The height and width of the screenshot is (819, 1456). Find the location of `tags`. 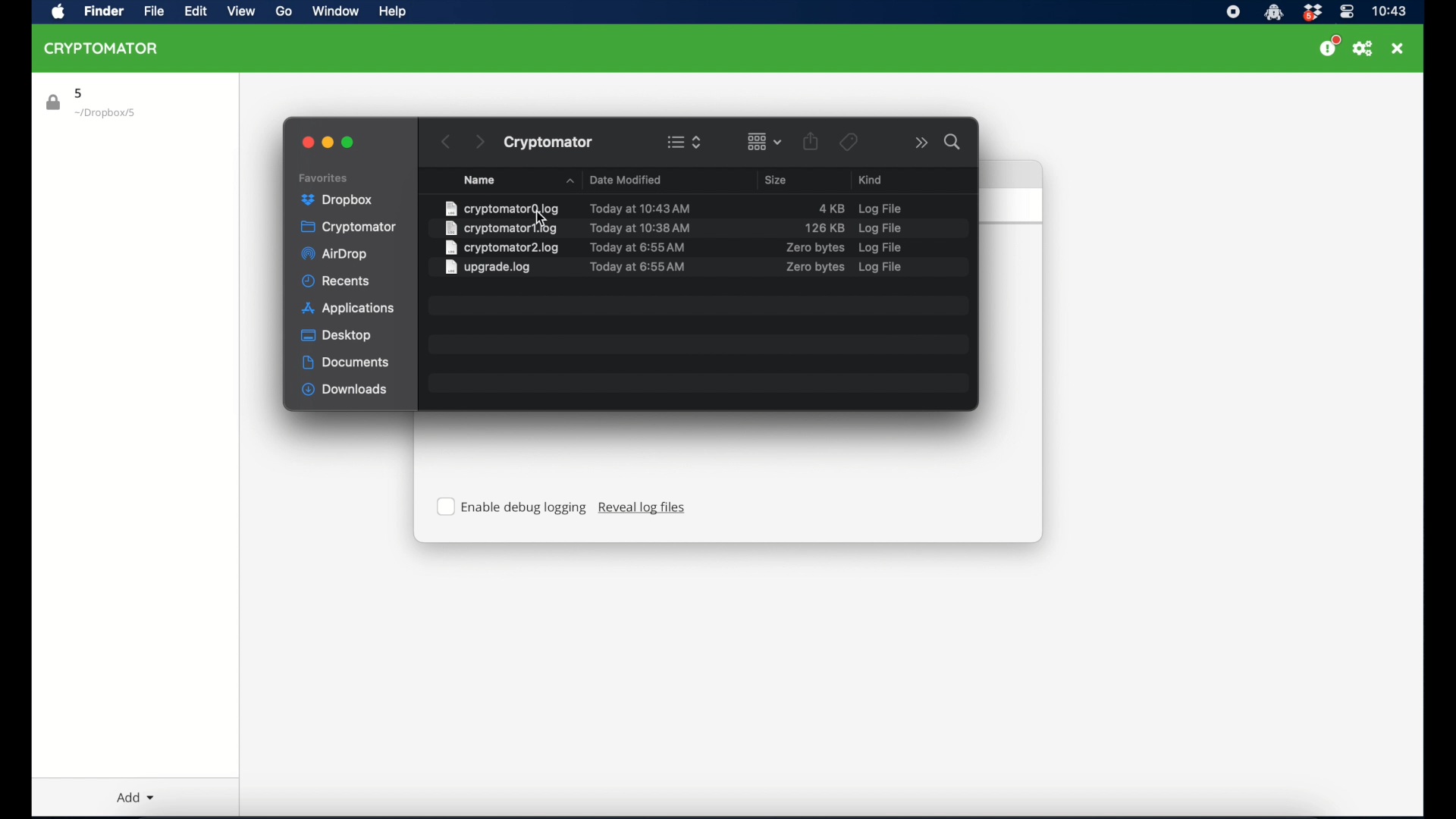

tags is located at coordinates (850, 143).